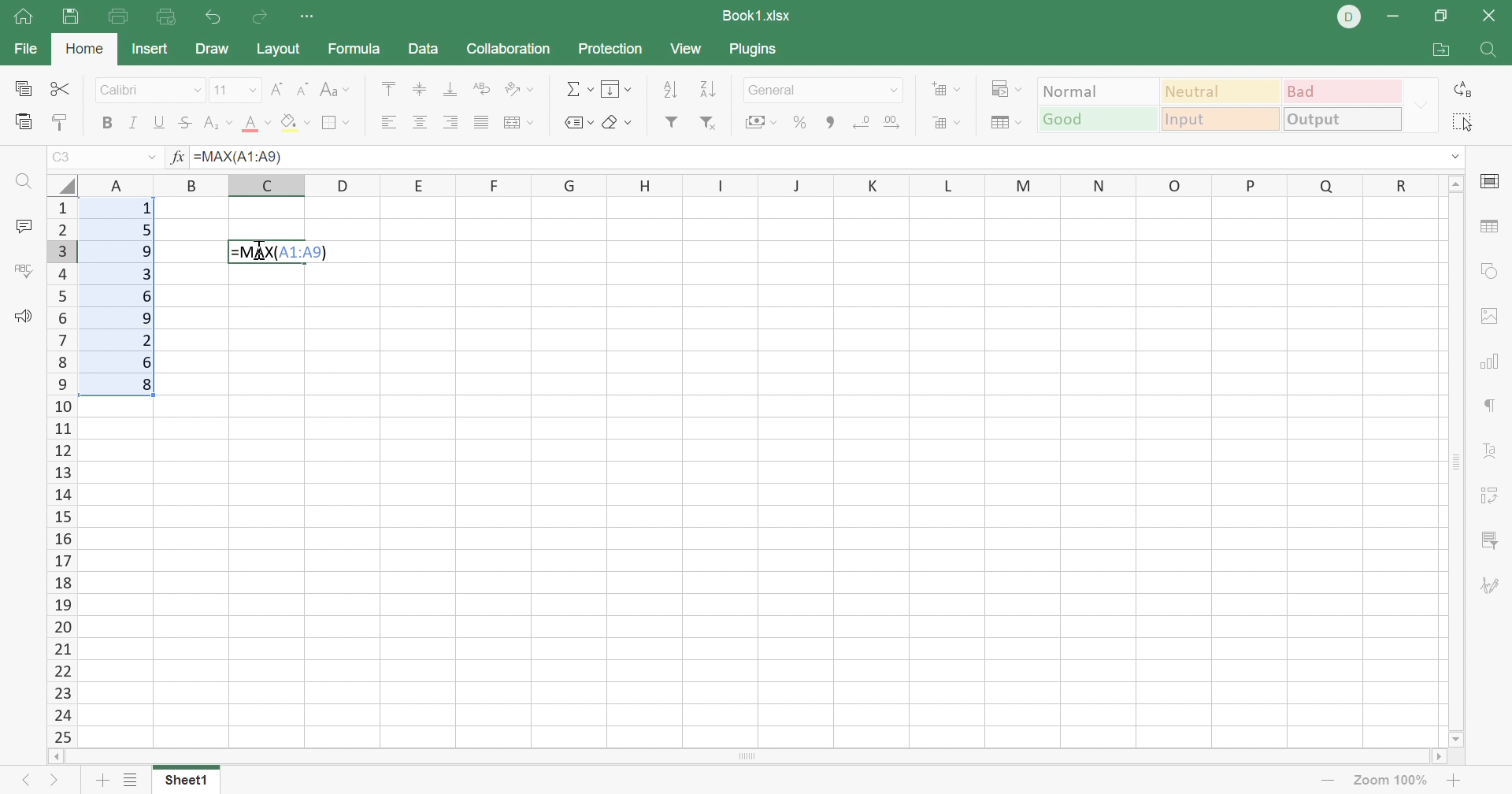 The image size is (1512, 794). Describe the element at coordinates (484, 91) in the screenshot. I see `Wrap Text` at that location.